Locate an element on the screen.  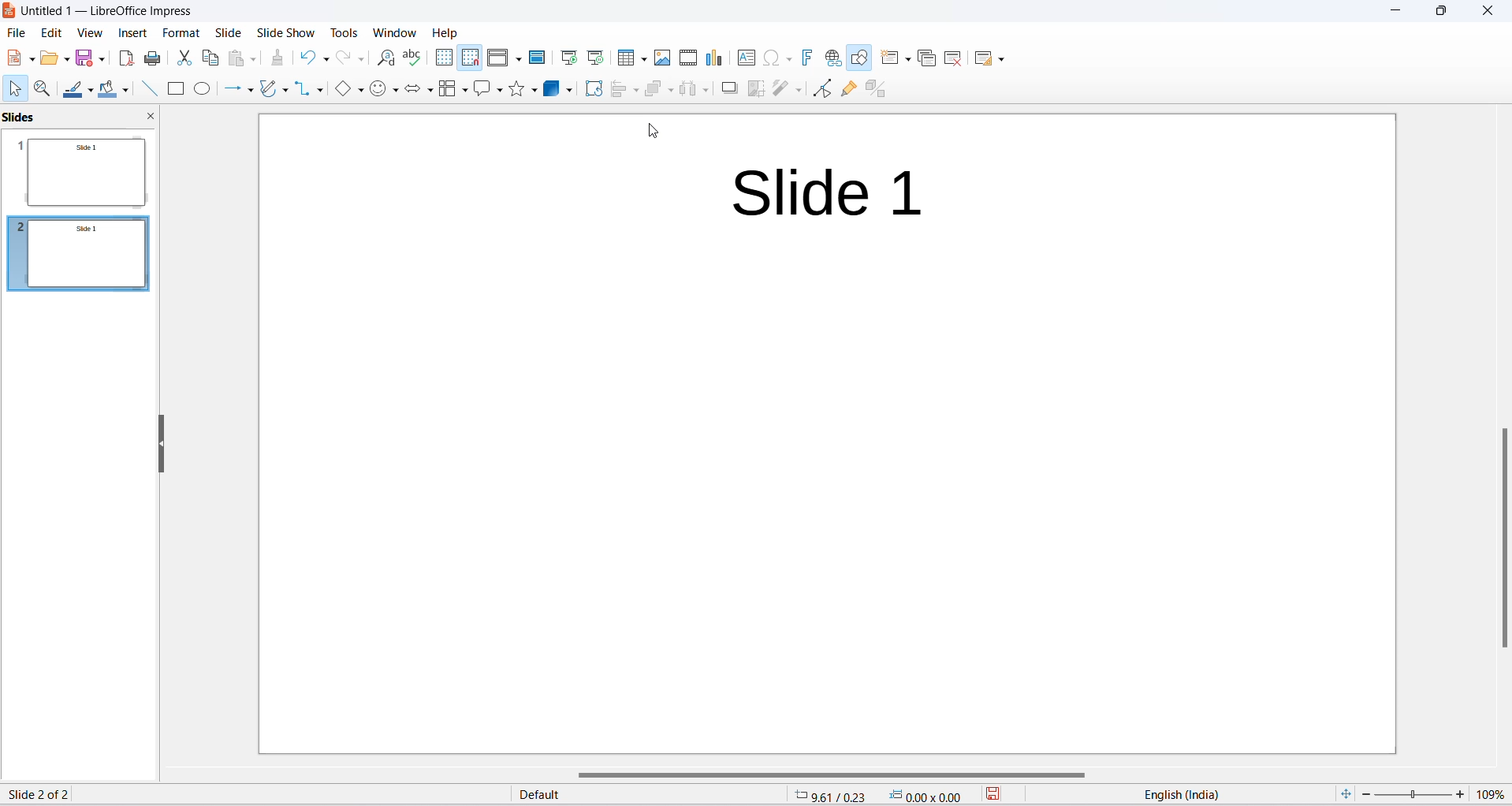
Call out shapes is located at coordinates (489, 88).